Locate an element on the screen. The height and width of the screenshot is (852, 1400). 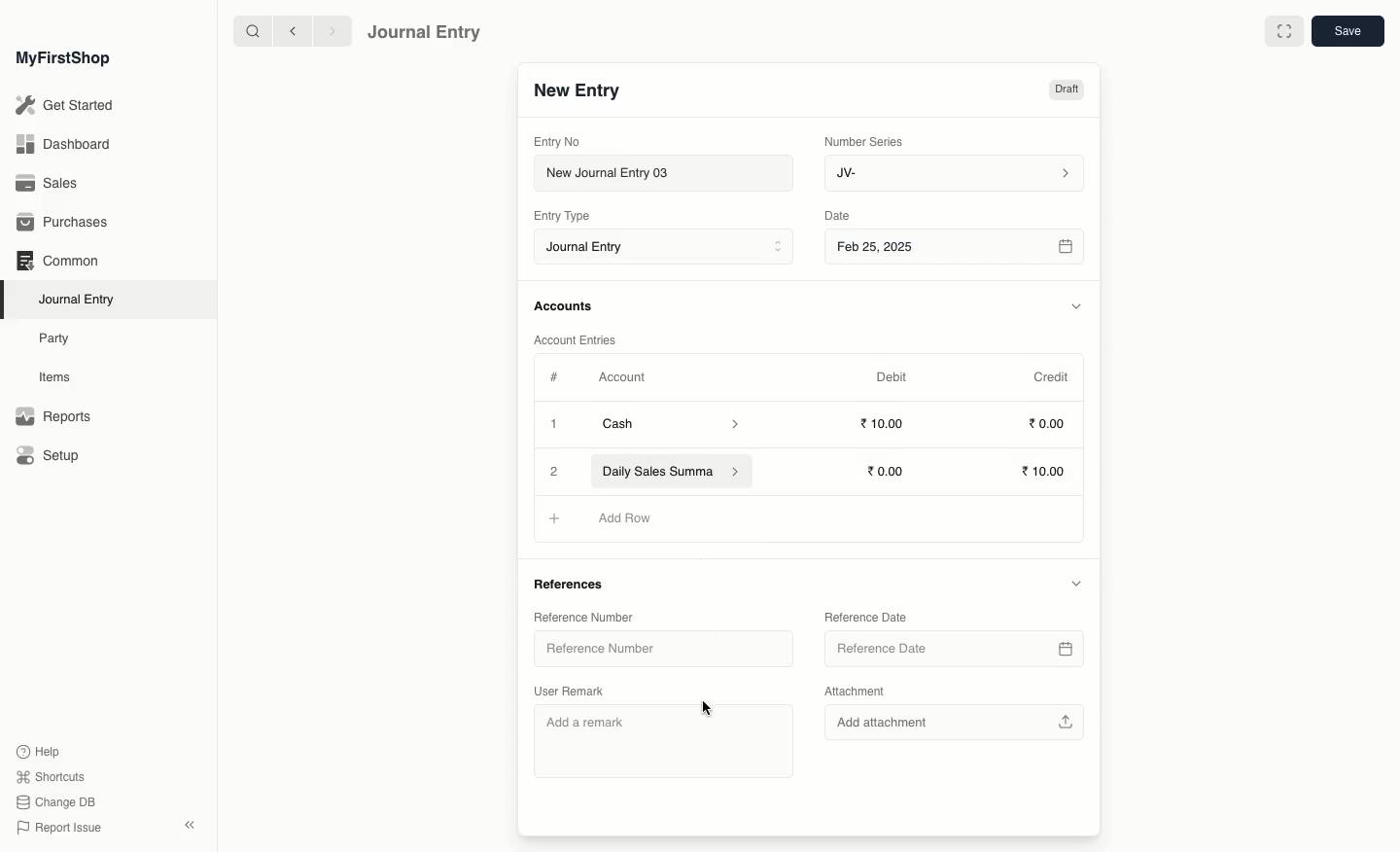
Account is located at coordinates (621, 377).